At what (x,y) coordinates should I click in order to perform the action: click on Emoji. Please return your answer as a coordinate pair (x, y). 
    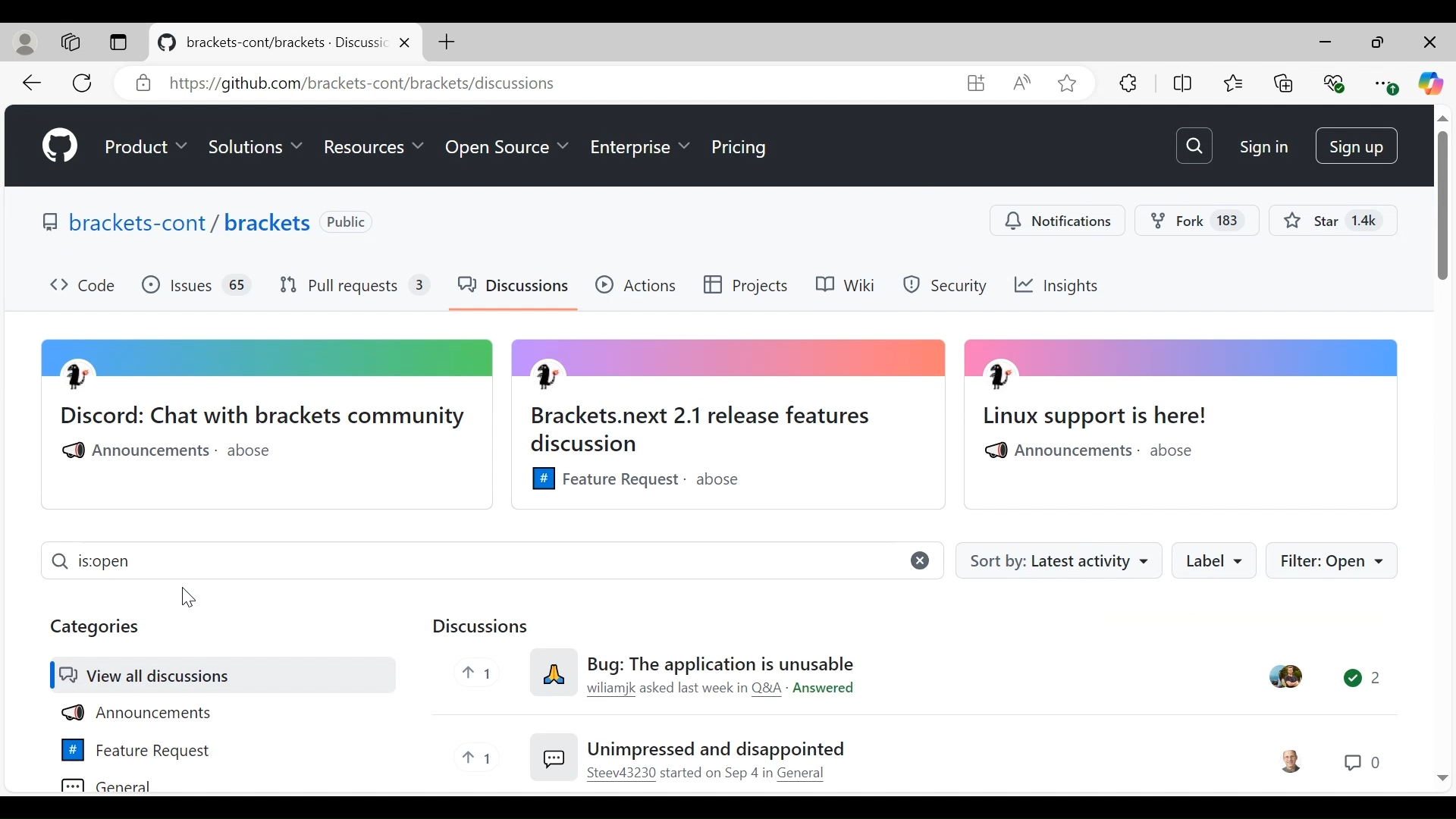
    Looking at the image, I should click on (554, 755).